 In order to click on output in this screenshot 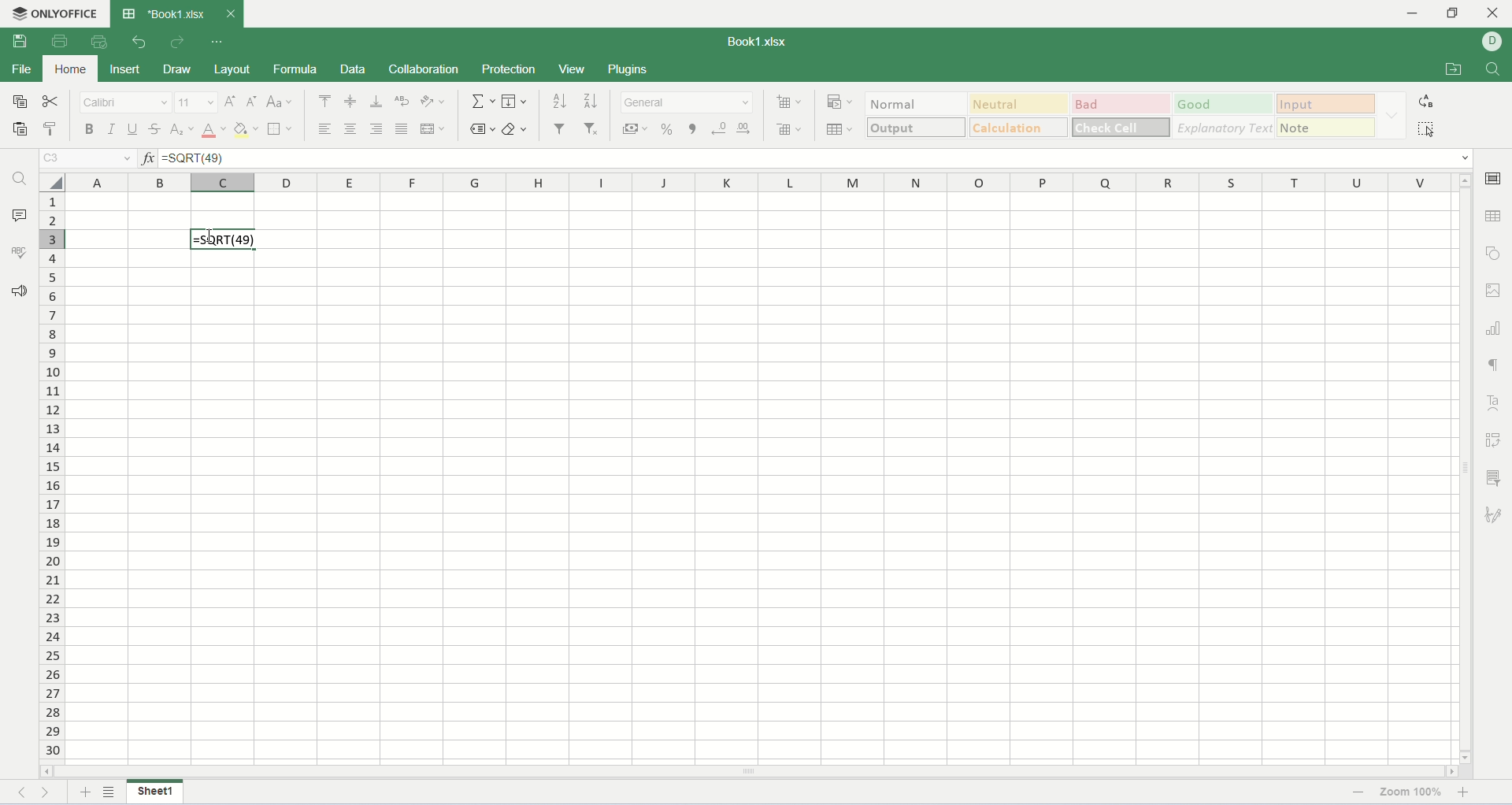, I will do `click(918, 128)`.